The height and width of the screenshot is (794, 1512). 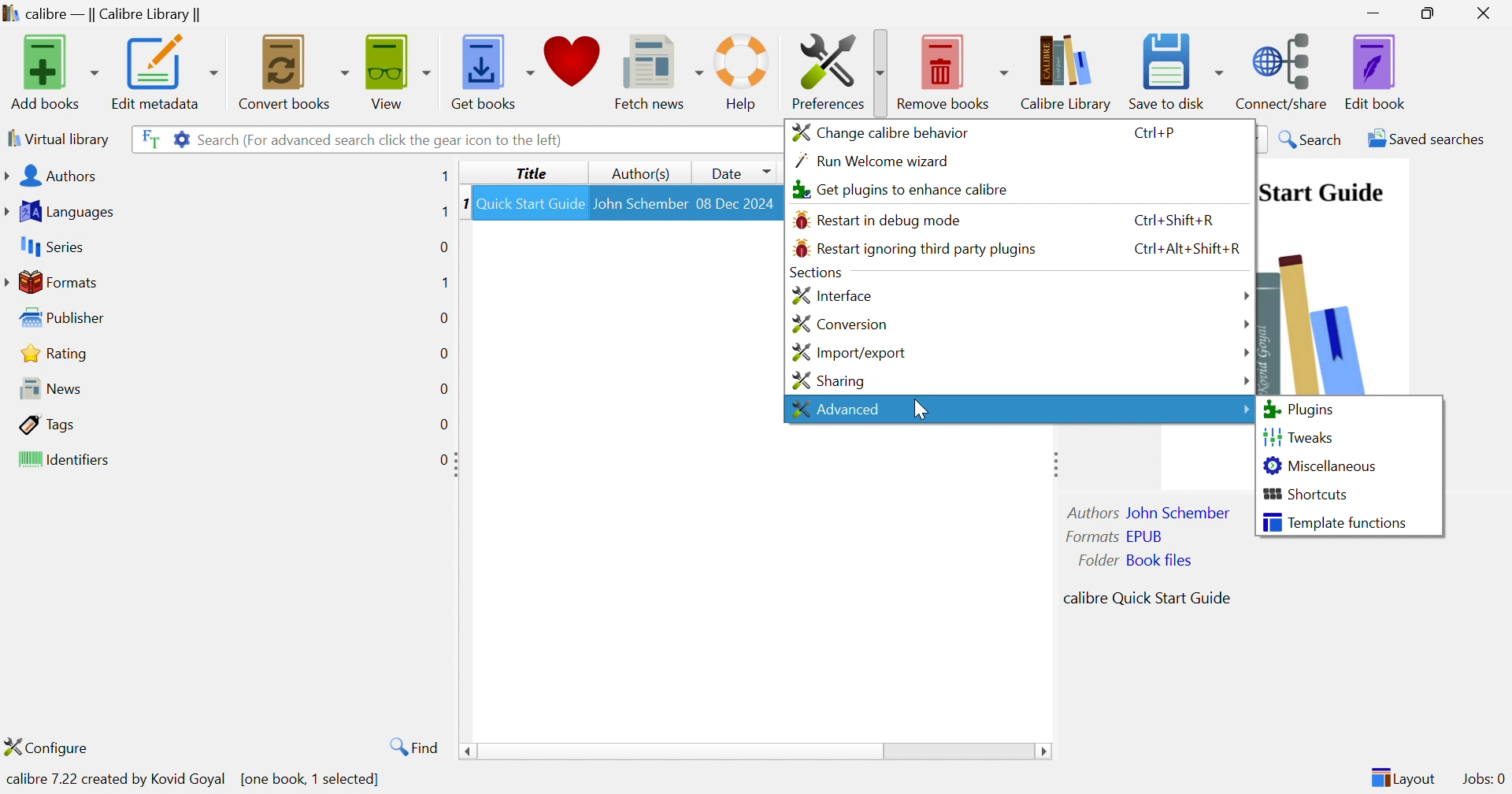 I want to click on Drop Down, so click(x=1247, y=379).